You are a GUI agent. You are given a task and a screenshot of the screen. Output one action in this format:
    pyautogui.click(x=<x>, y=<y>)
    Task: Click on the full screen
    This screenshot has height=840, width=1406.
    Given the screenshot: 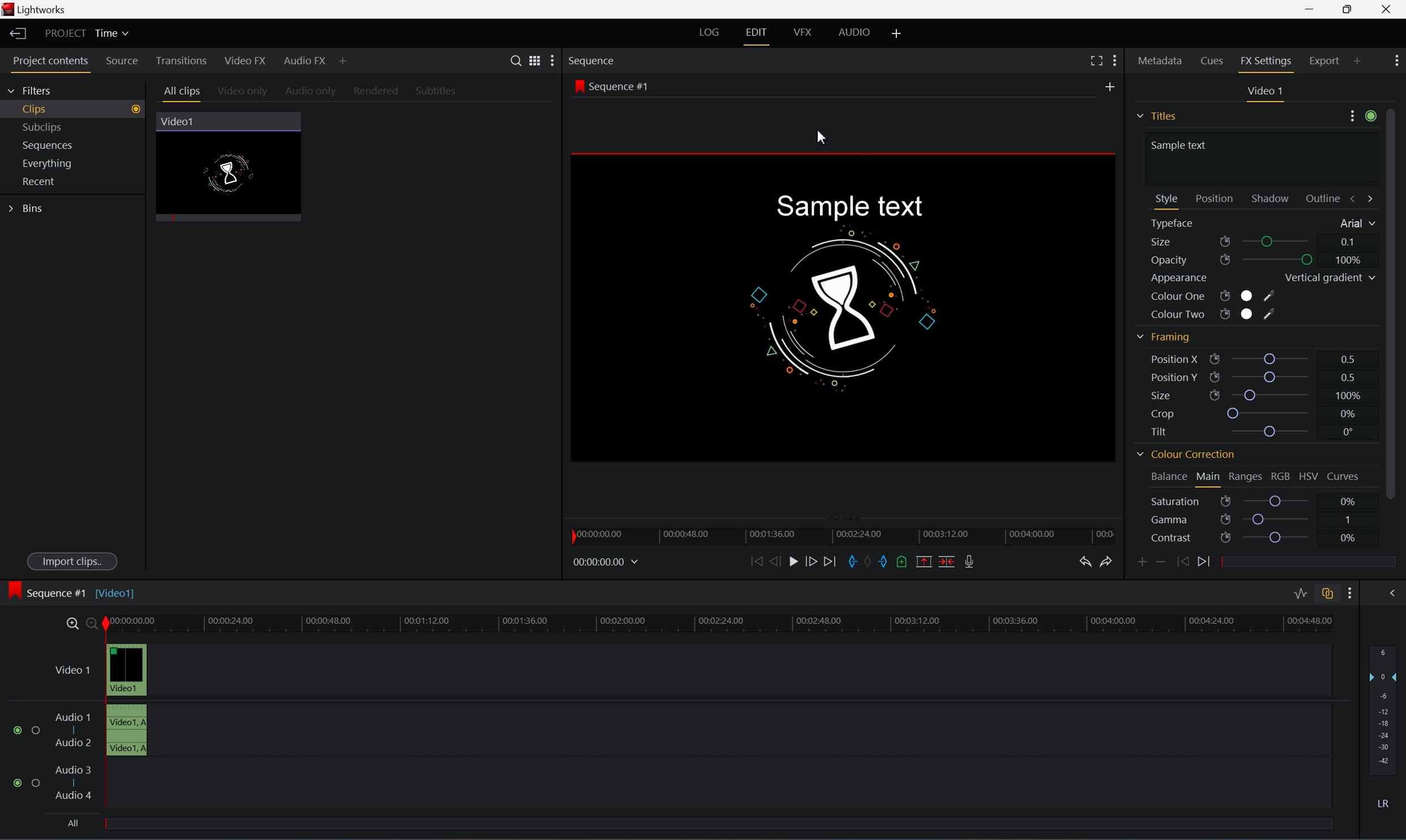 What is the action you would take?
    pyautogui.click(x=1096, y=61)
    